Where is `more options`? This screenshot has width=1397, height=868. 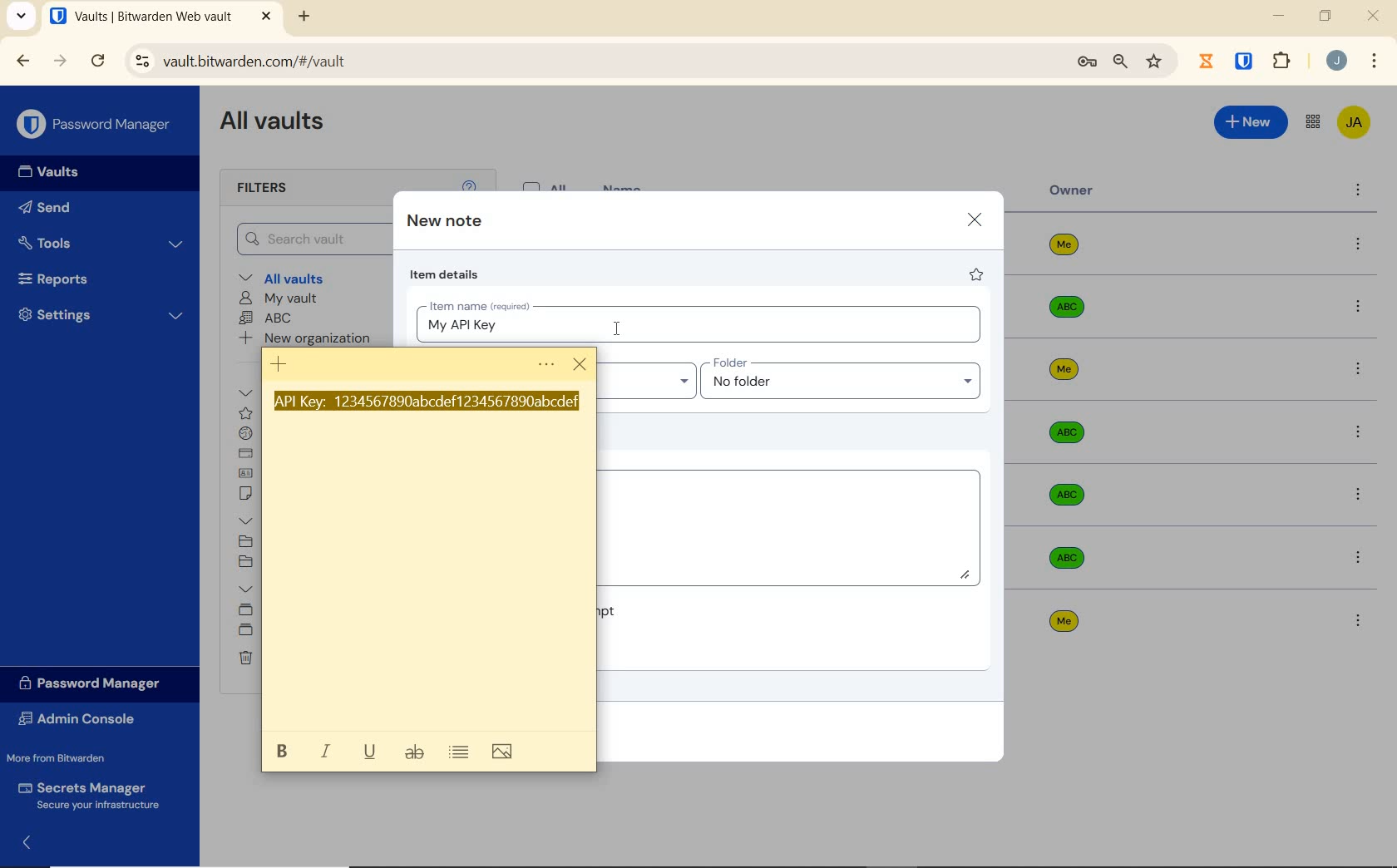 more options is located at coordinates (1360, 495).